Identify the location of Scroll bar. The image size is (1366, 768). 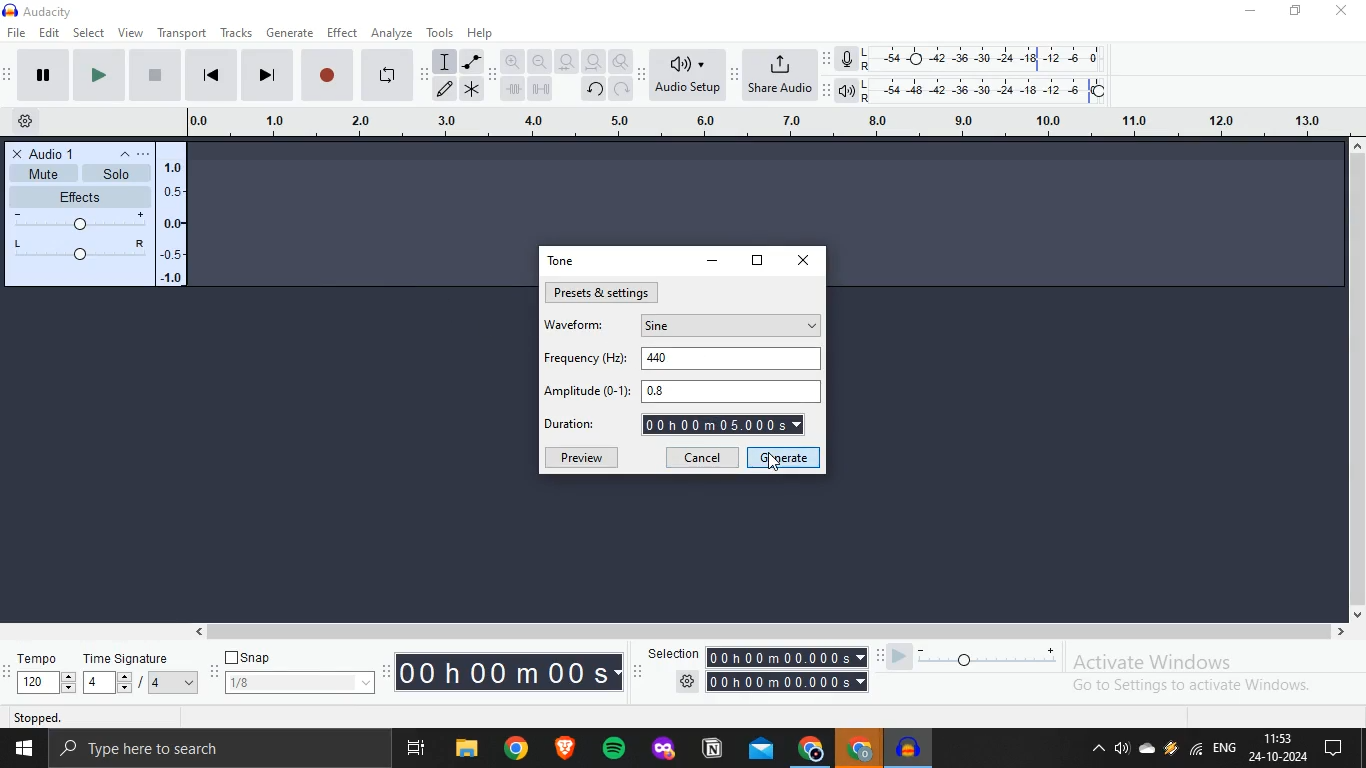
(1357, 386).